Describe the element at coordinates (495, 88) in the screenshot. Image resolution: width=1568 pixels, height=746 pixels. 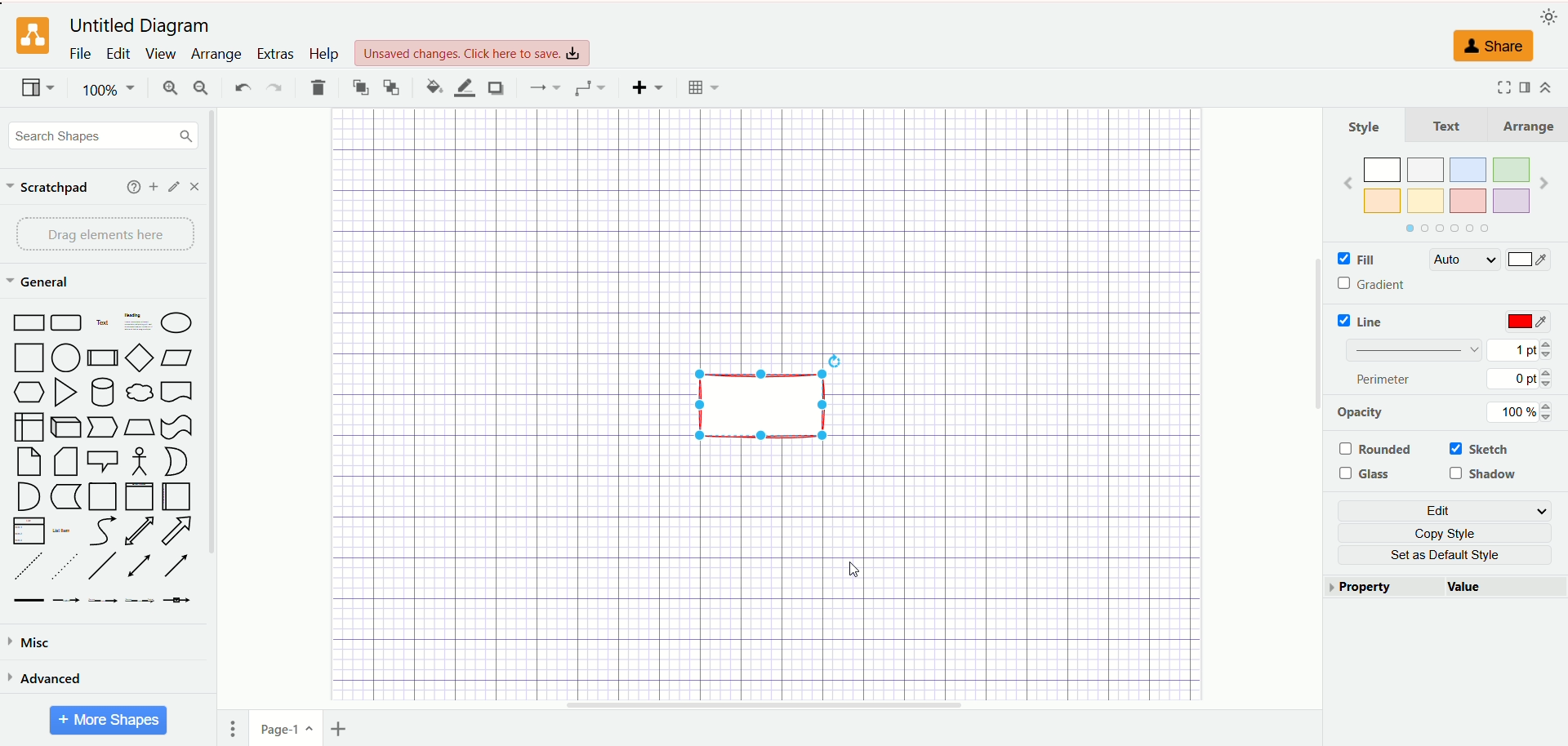
I see `shadow` at that location.